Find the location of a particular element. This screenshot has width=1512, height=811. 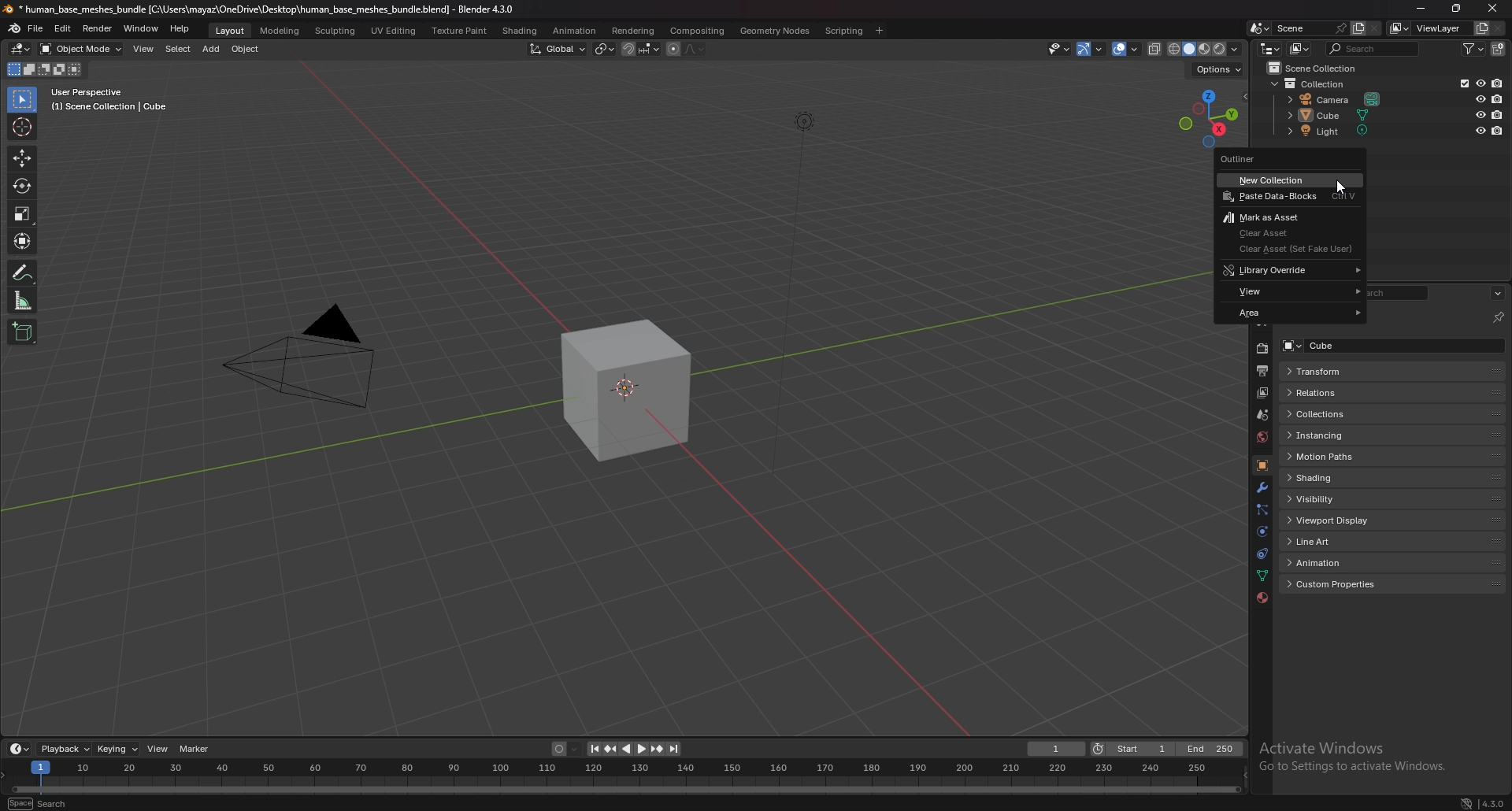

outliner is located at coordinates (1262, 157).